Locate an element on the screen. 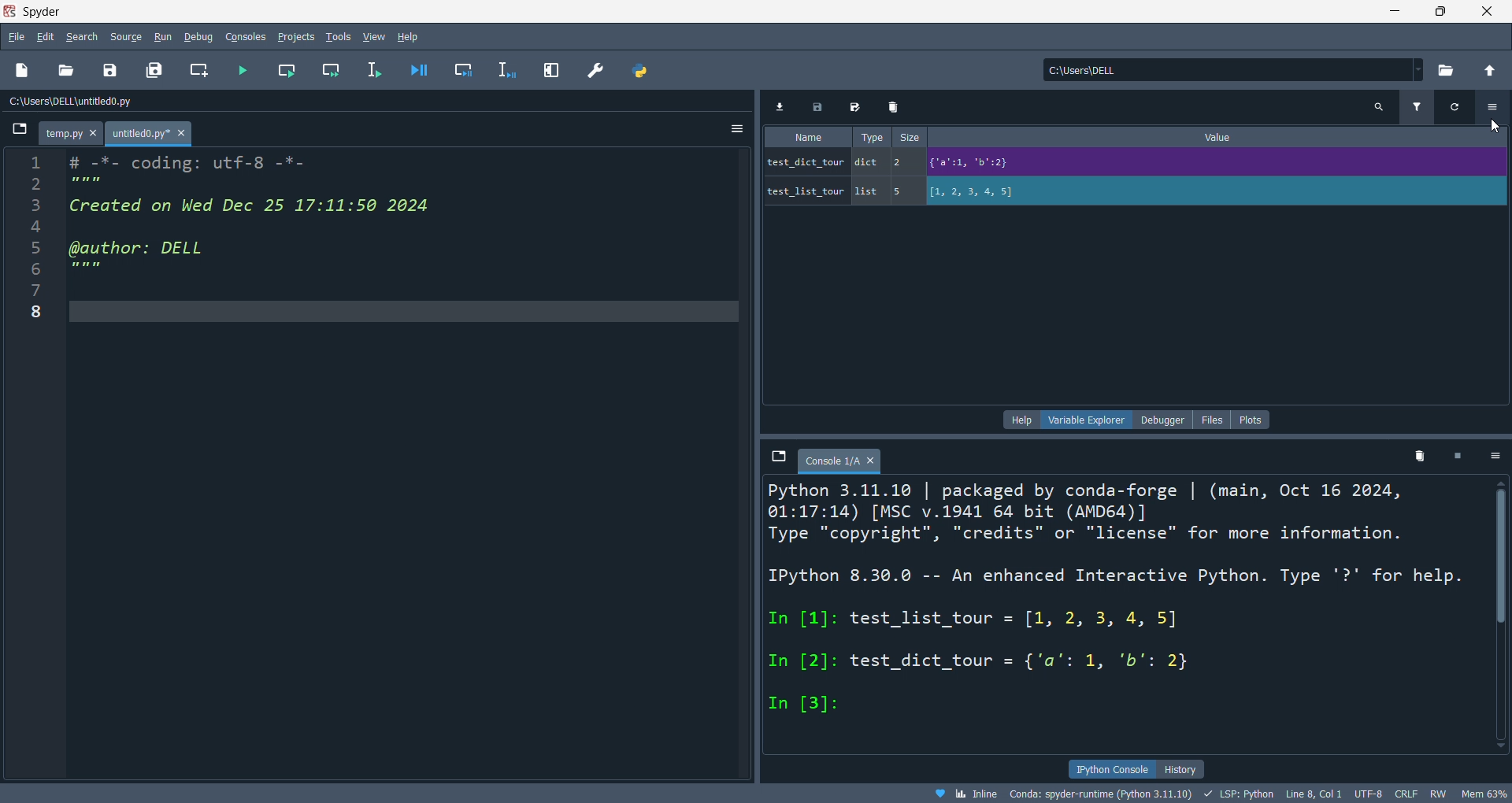 The image size is (1512, 803). options is located at coordinates (1494, 109).